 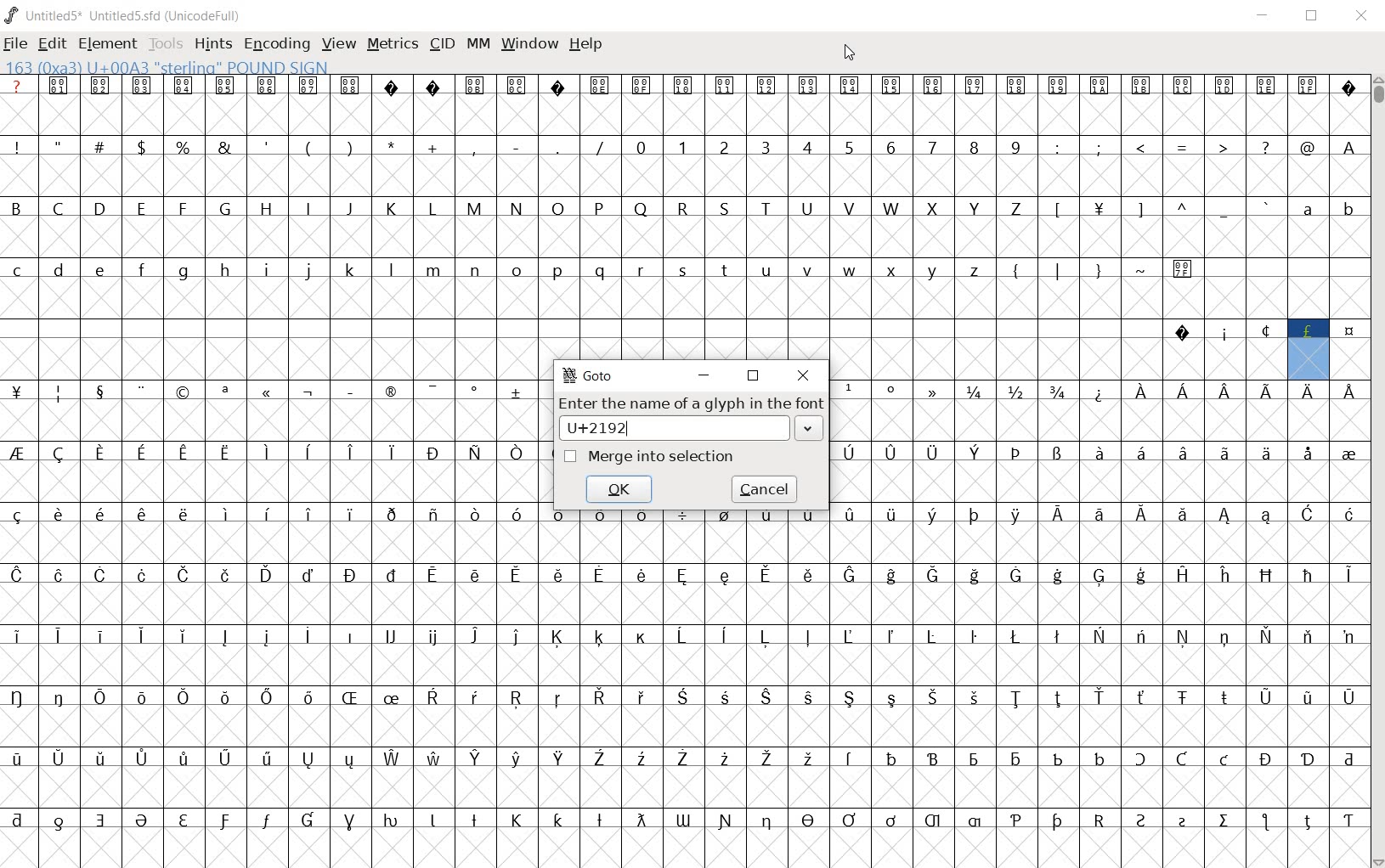 I want to click on Enter the name of a glyph in the font, so click(x=690, y=420).